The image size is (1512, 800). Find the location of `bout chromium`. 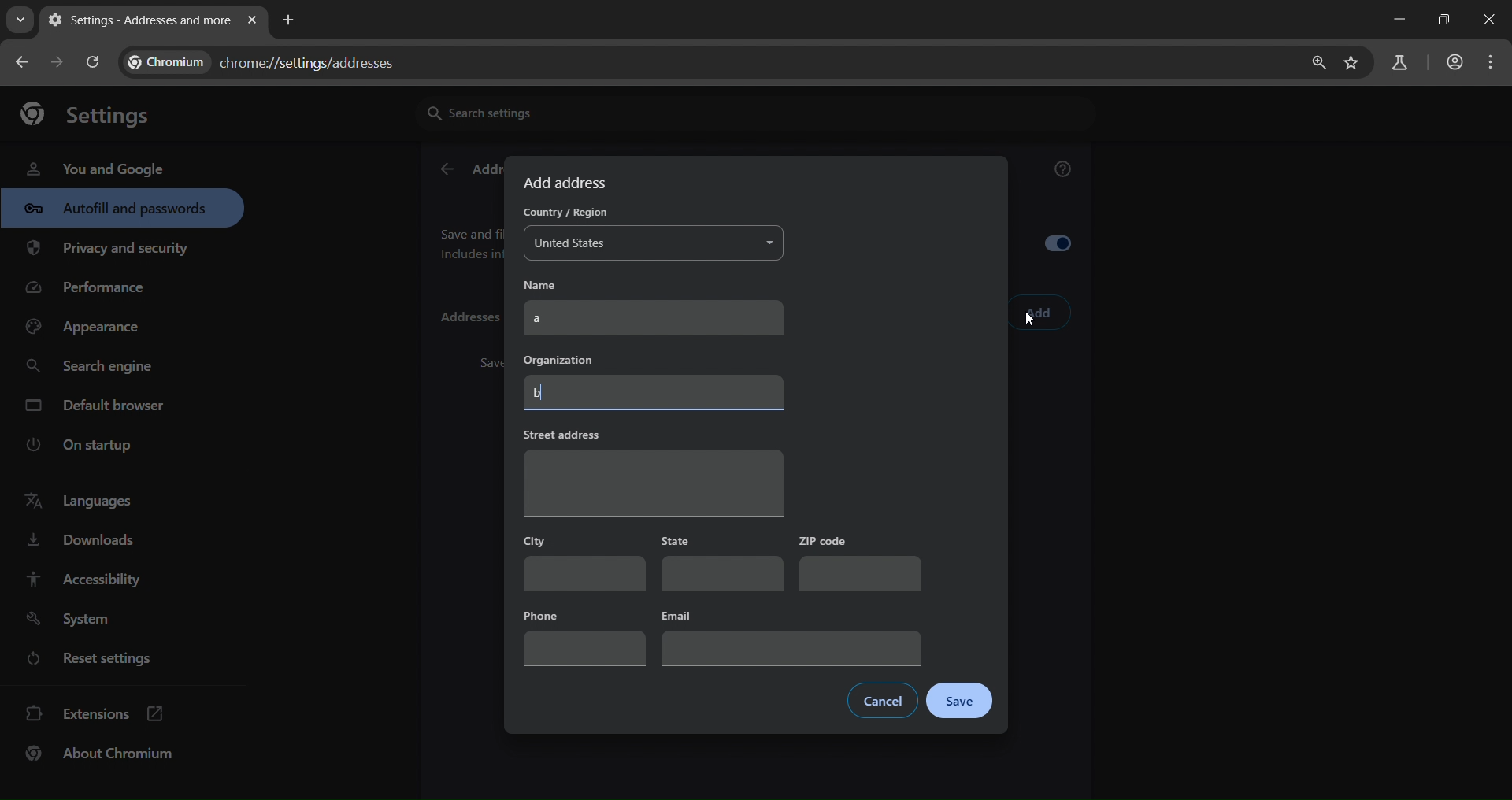

bout chromium is located at coordinates (102, 753).